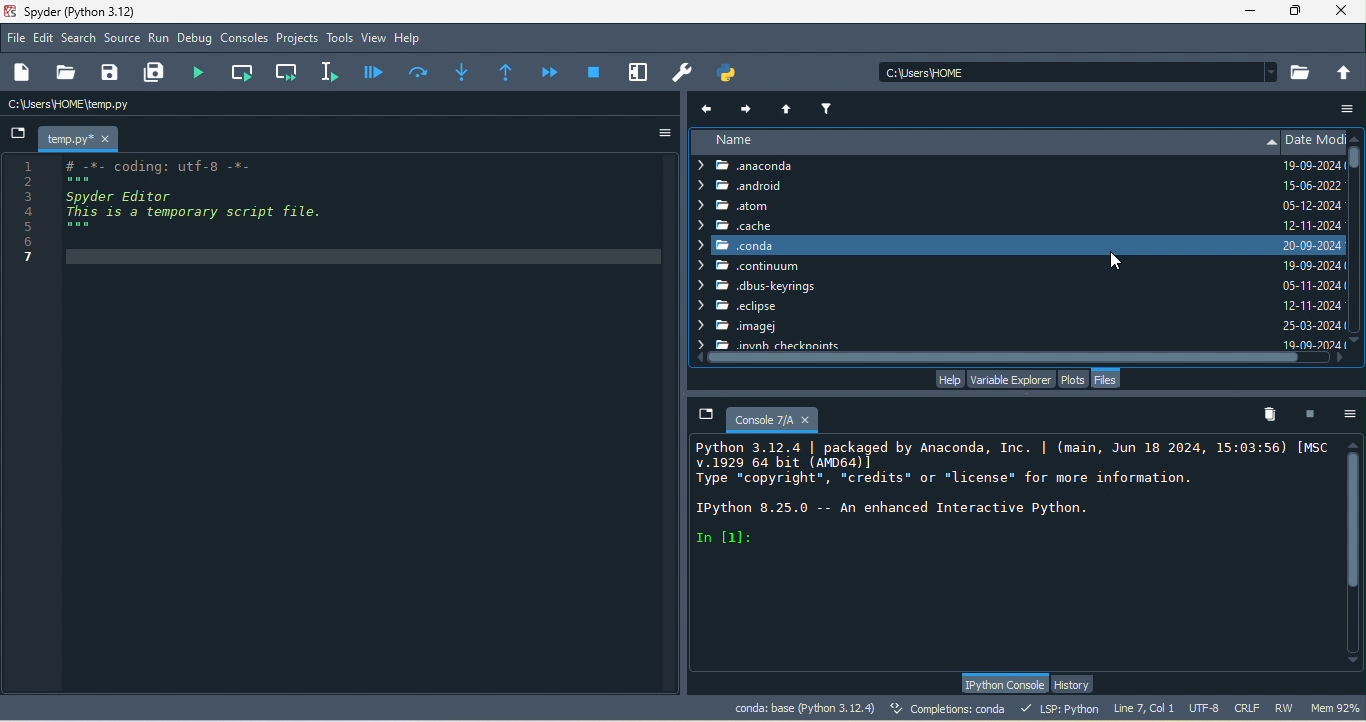 The height and width of the screenshot is (722, 1366). Describe the element at coordinates (752, 266) in the screenshot. I see `continuum` at that location.